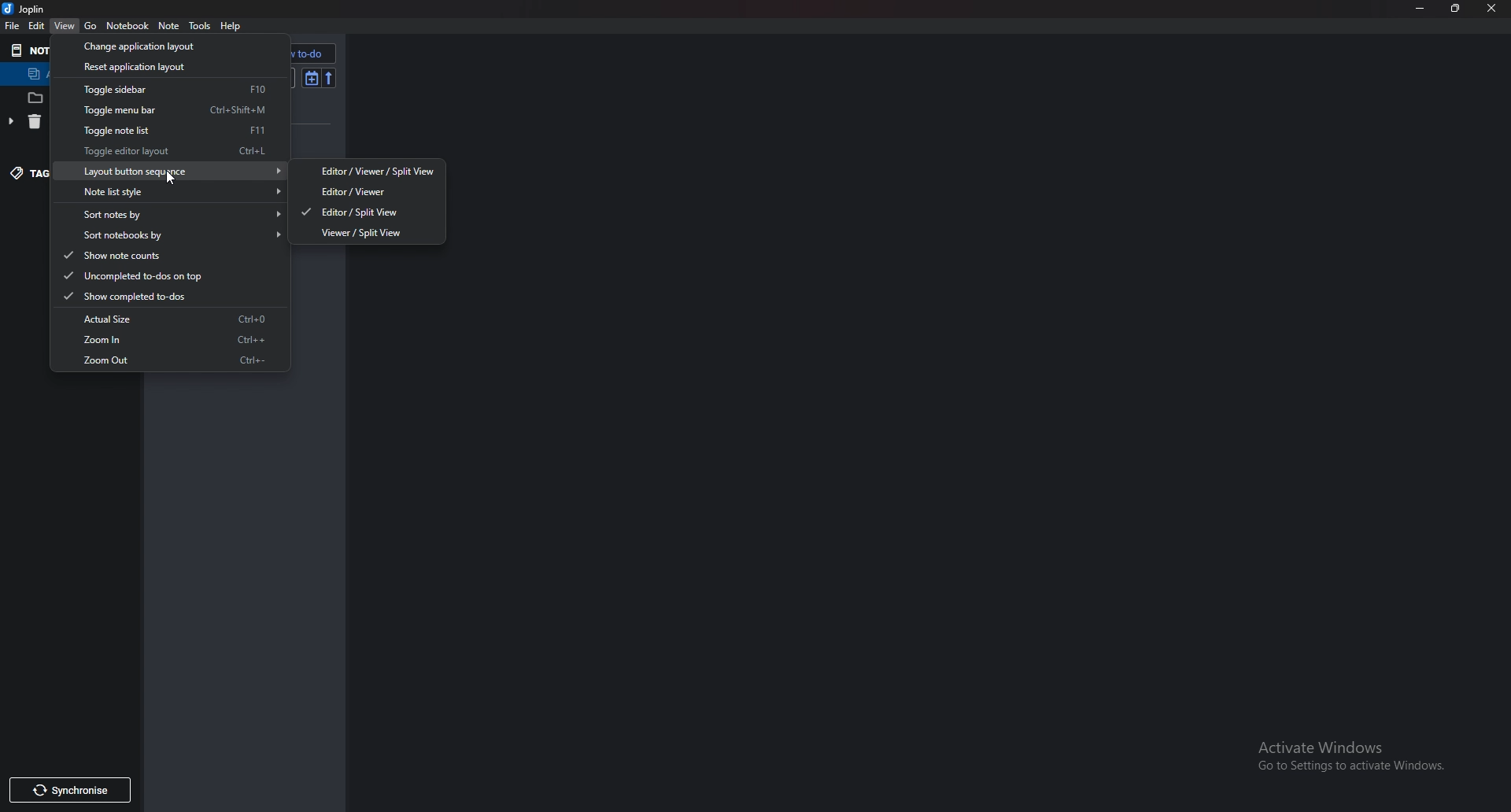 This screenshot has height=812, width=1511. Describe the element at coordinates (127, 25) in the screenshot. I see `Notebook` at that location.